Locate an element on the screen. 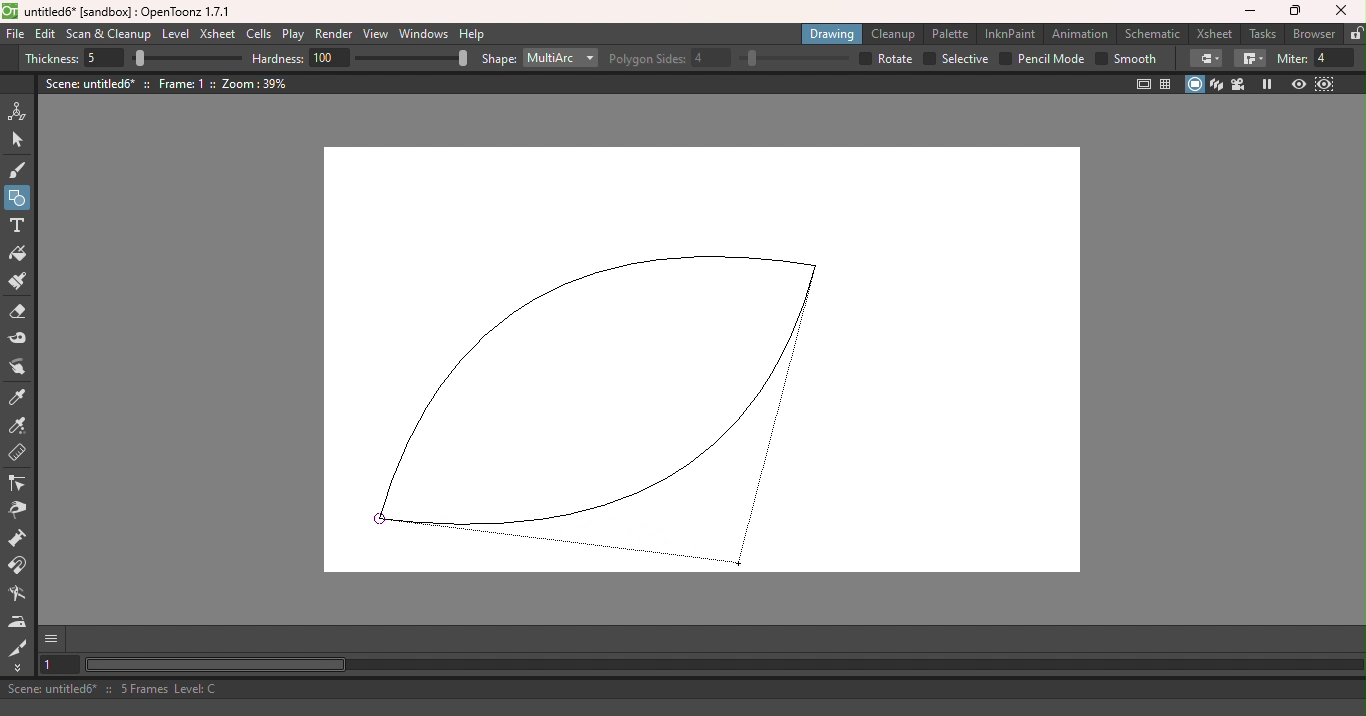  Pencil mode is located at coordinates (1041, 60).